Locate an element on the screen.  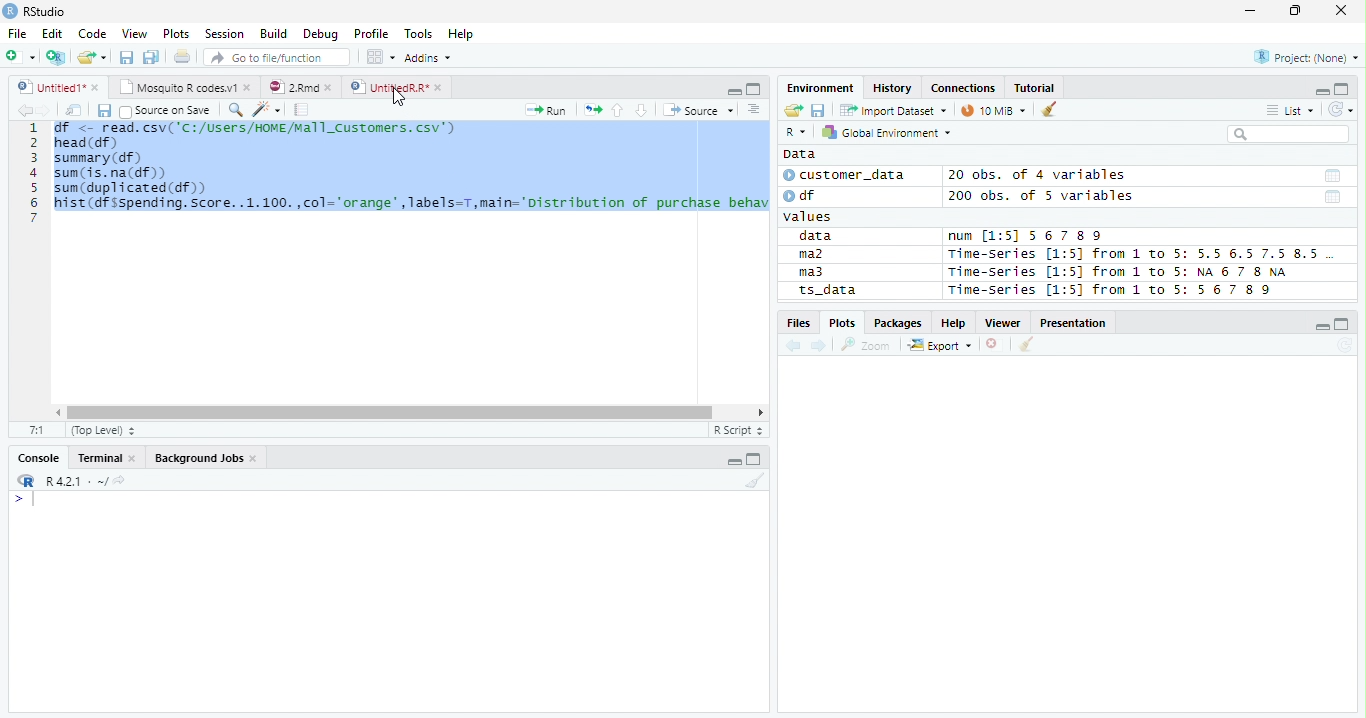
Save all open documents is located at coordinates (151, 58).